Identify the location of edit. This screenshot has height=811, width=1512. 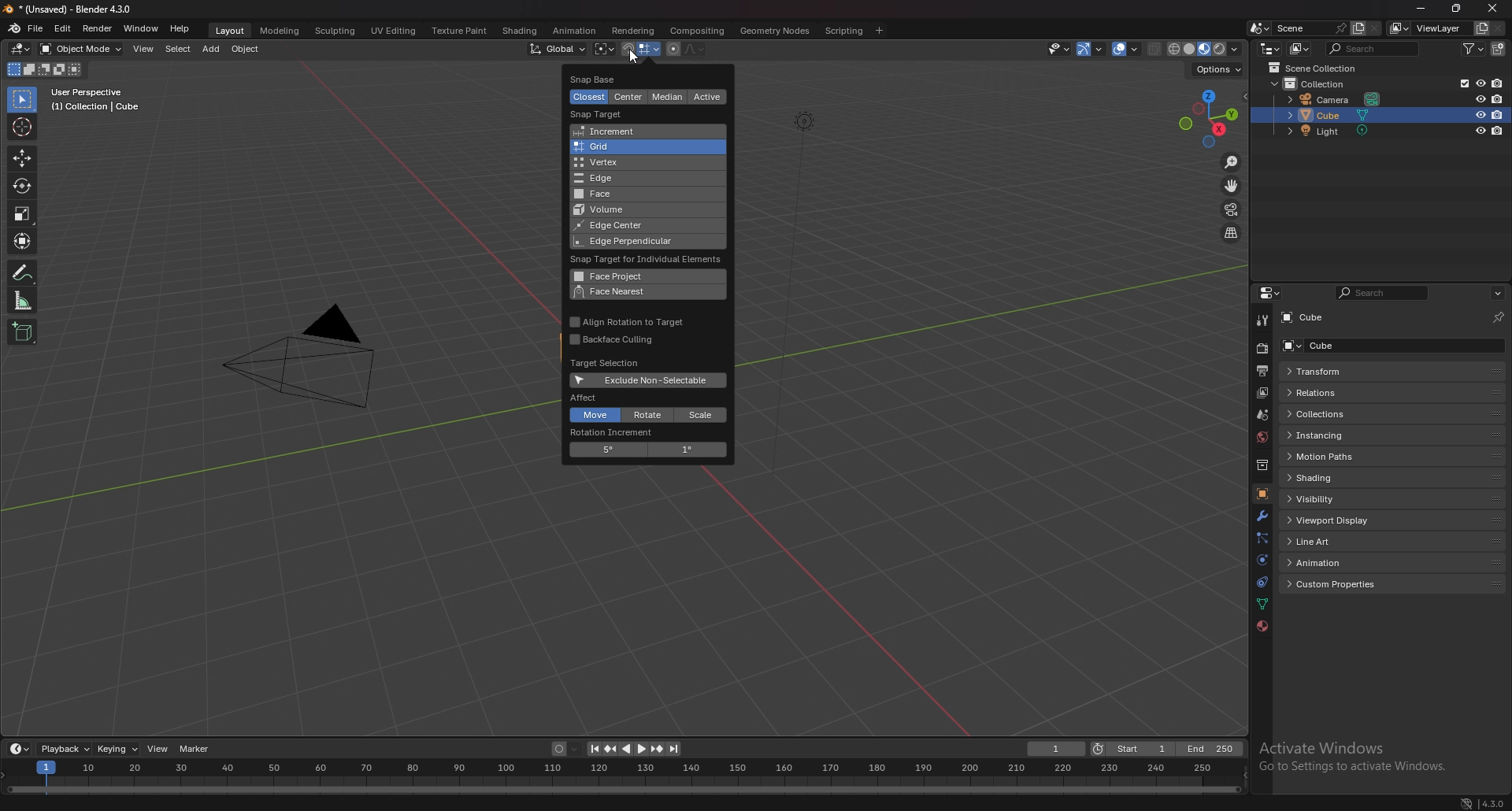
(62, 29).